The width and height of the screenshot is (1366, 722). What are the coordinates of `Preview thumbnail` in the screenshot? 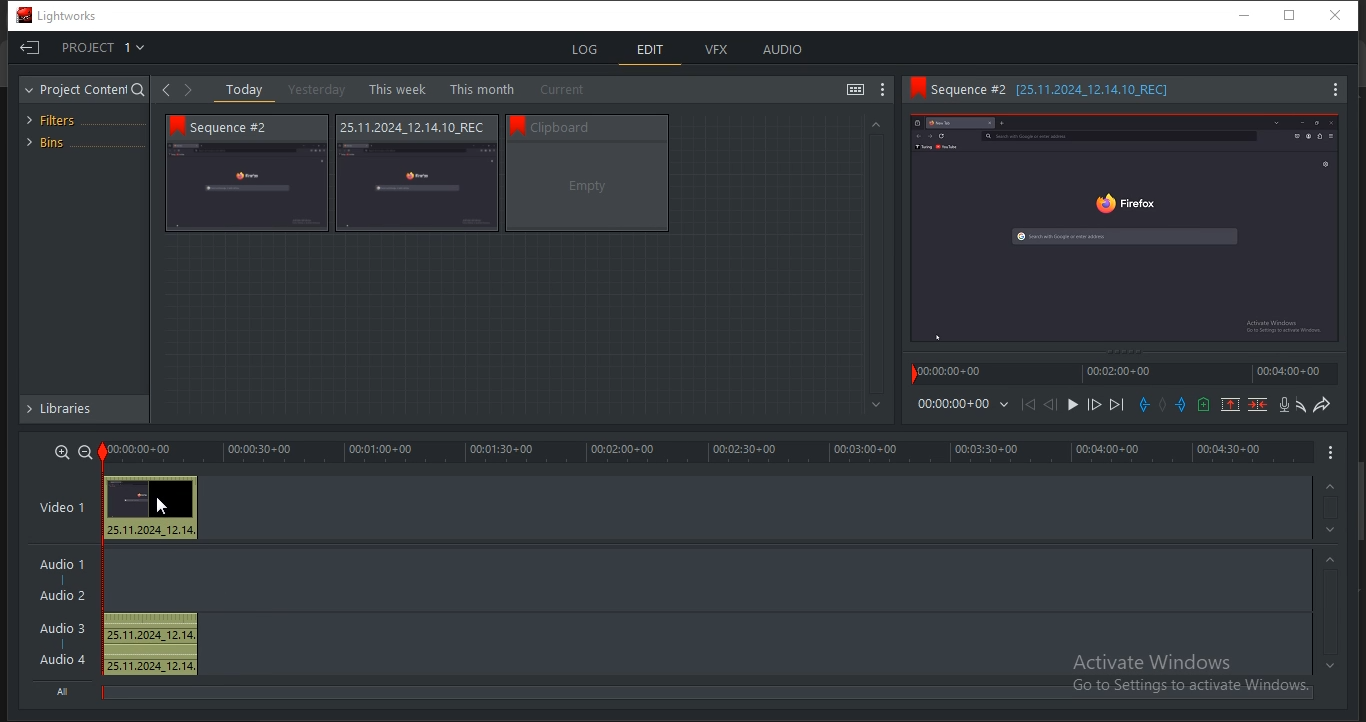 It's located at (155, 497).